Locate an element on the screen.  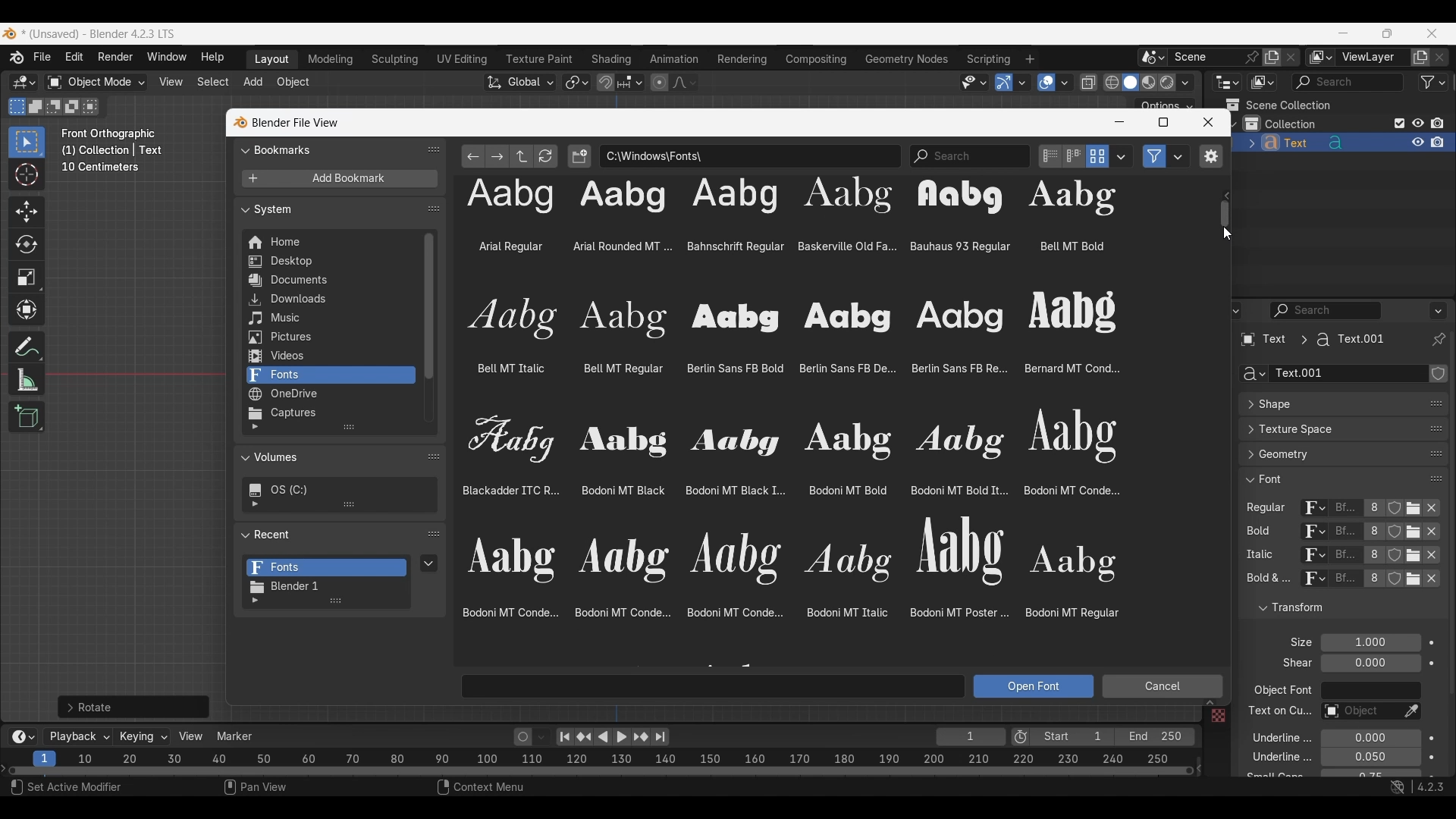
Transform pivot point is located at coordinates (576, 83).